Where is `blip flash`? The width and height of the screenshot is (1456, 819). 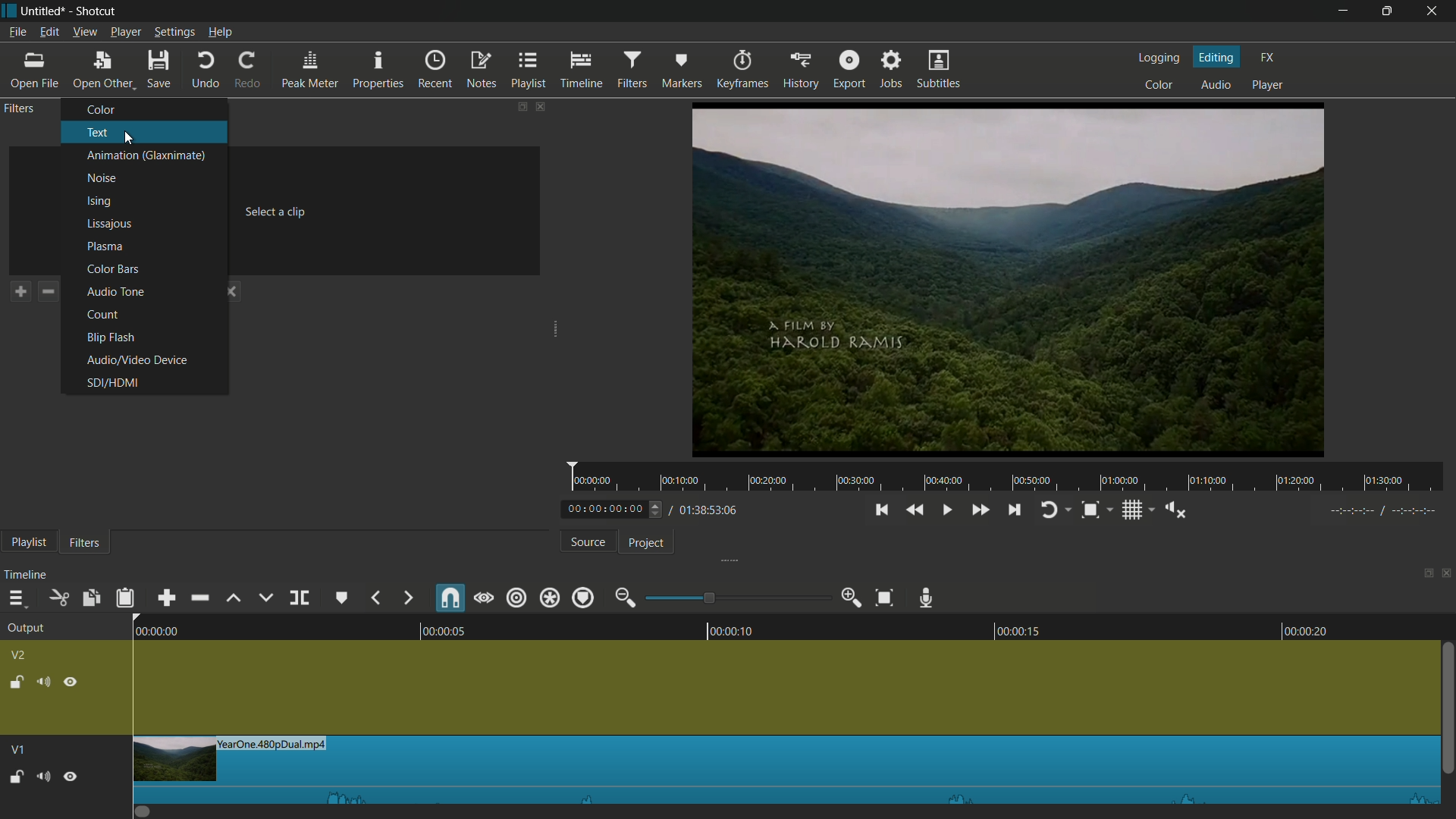
blip flash is located at coordinates (110, 339).